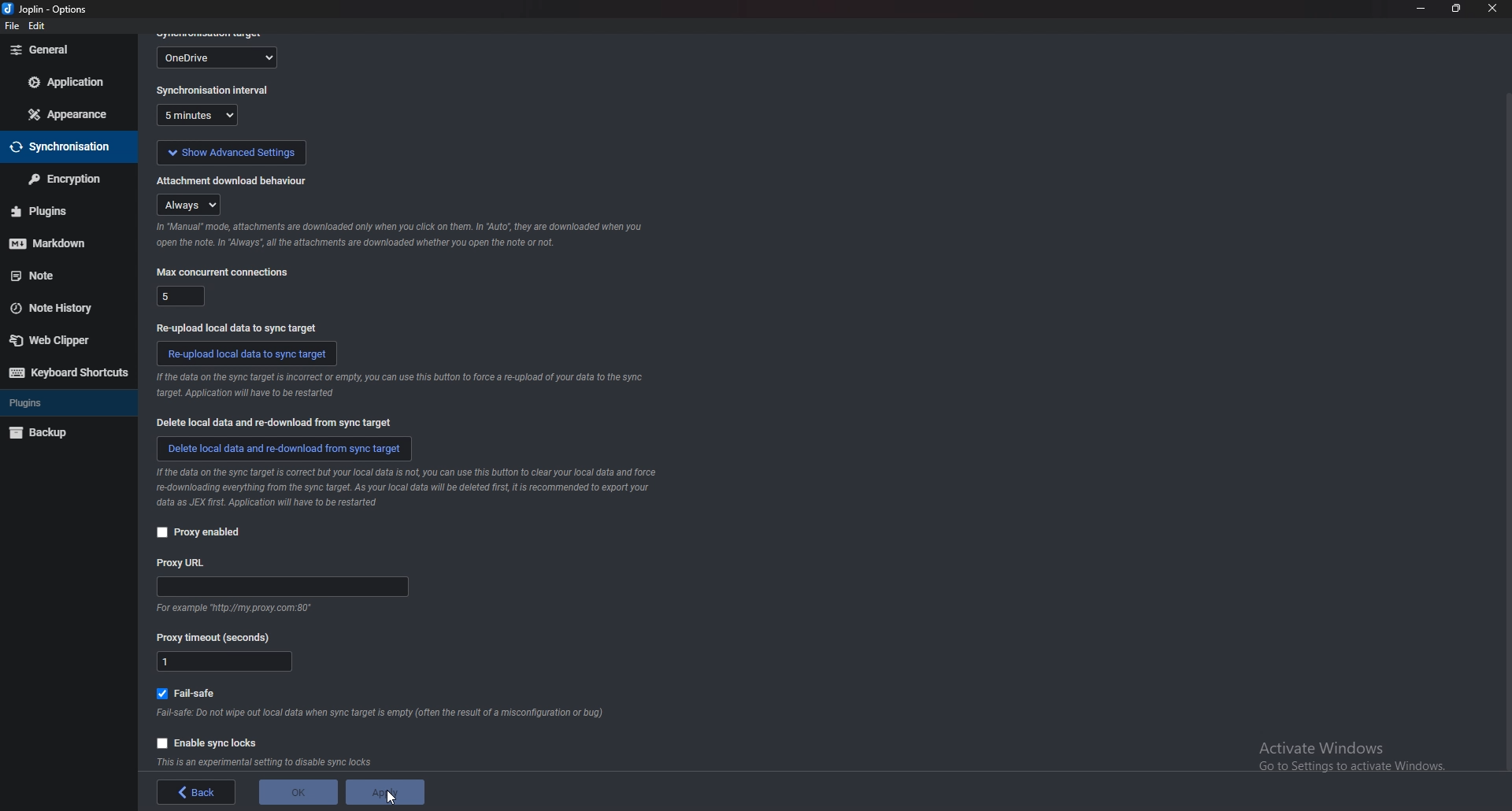 The image size is (1512, 811). Describe the element at coordinates (193, 691) in the screenshot. I see `fail safe` at that location.